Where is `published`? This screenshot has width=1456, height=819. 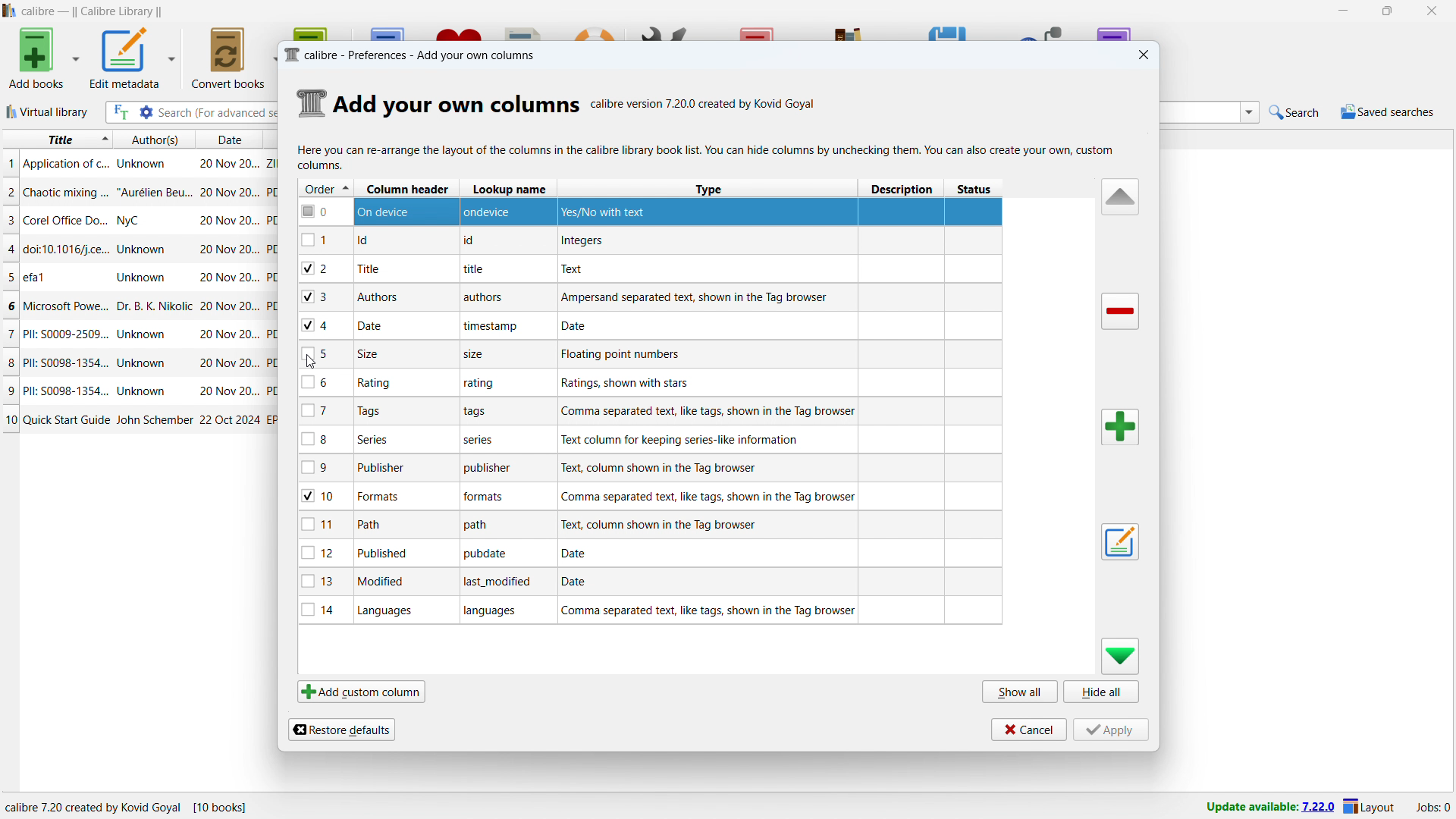 published is located at coordinates (384, 553).